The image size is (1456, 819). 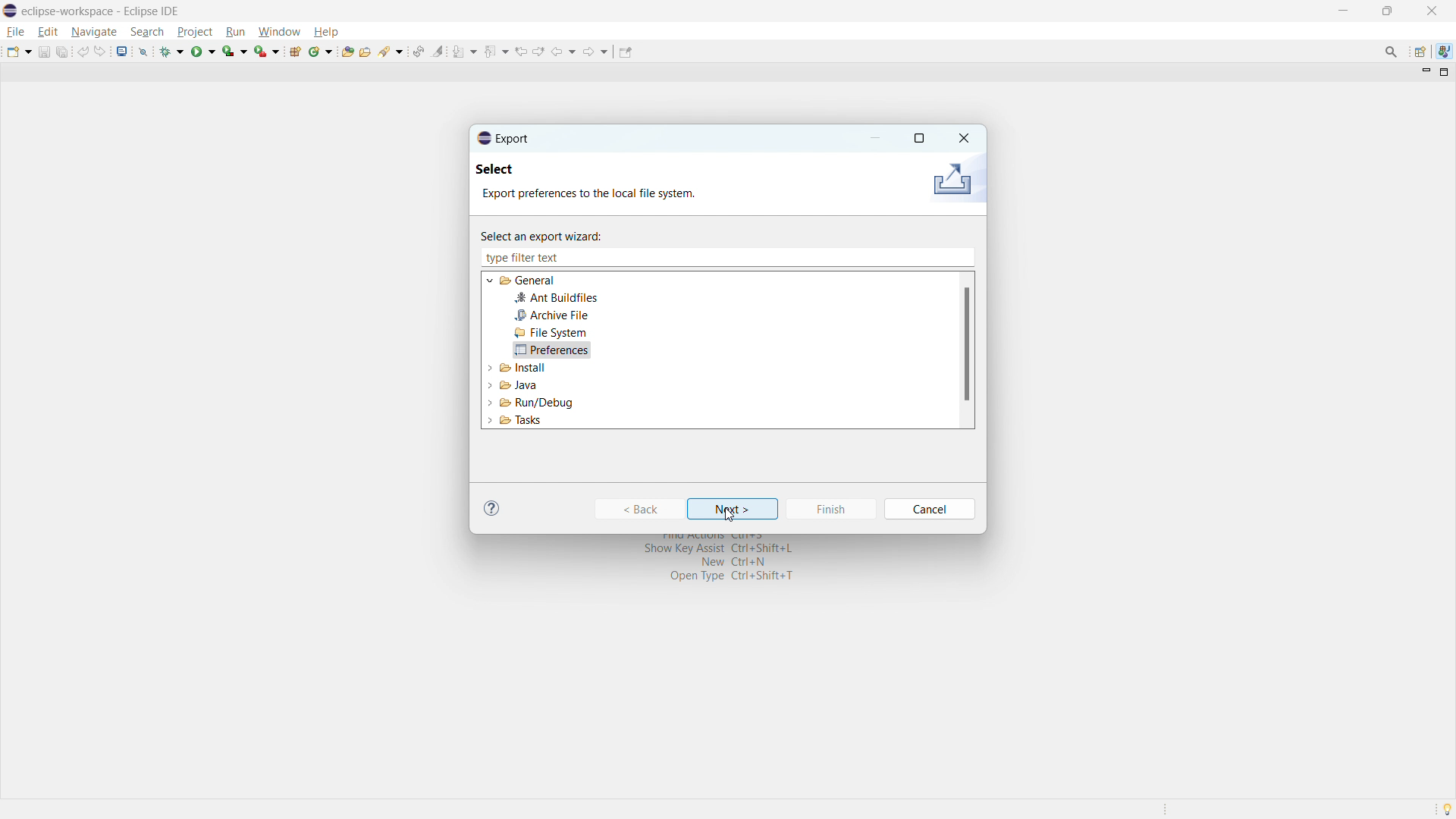 What do you see at coordinates (497, 50) in the screenshot?
I see `previous annotation` at bounding box center [497, 50].